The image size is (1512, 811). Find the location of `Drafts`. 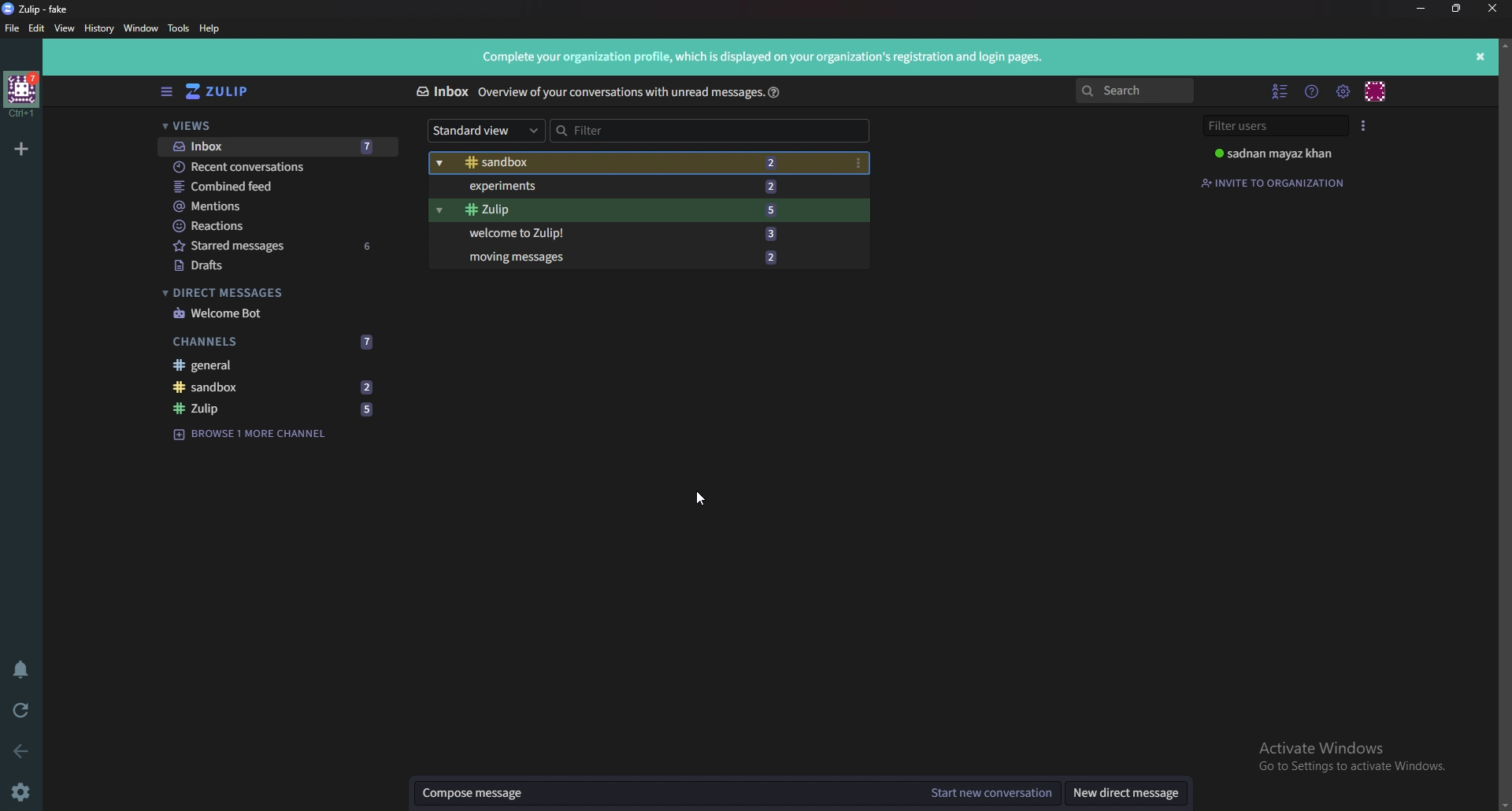

Drafts is located at coordinates (269, 265).